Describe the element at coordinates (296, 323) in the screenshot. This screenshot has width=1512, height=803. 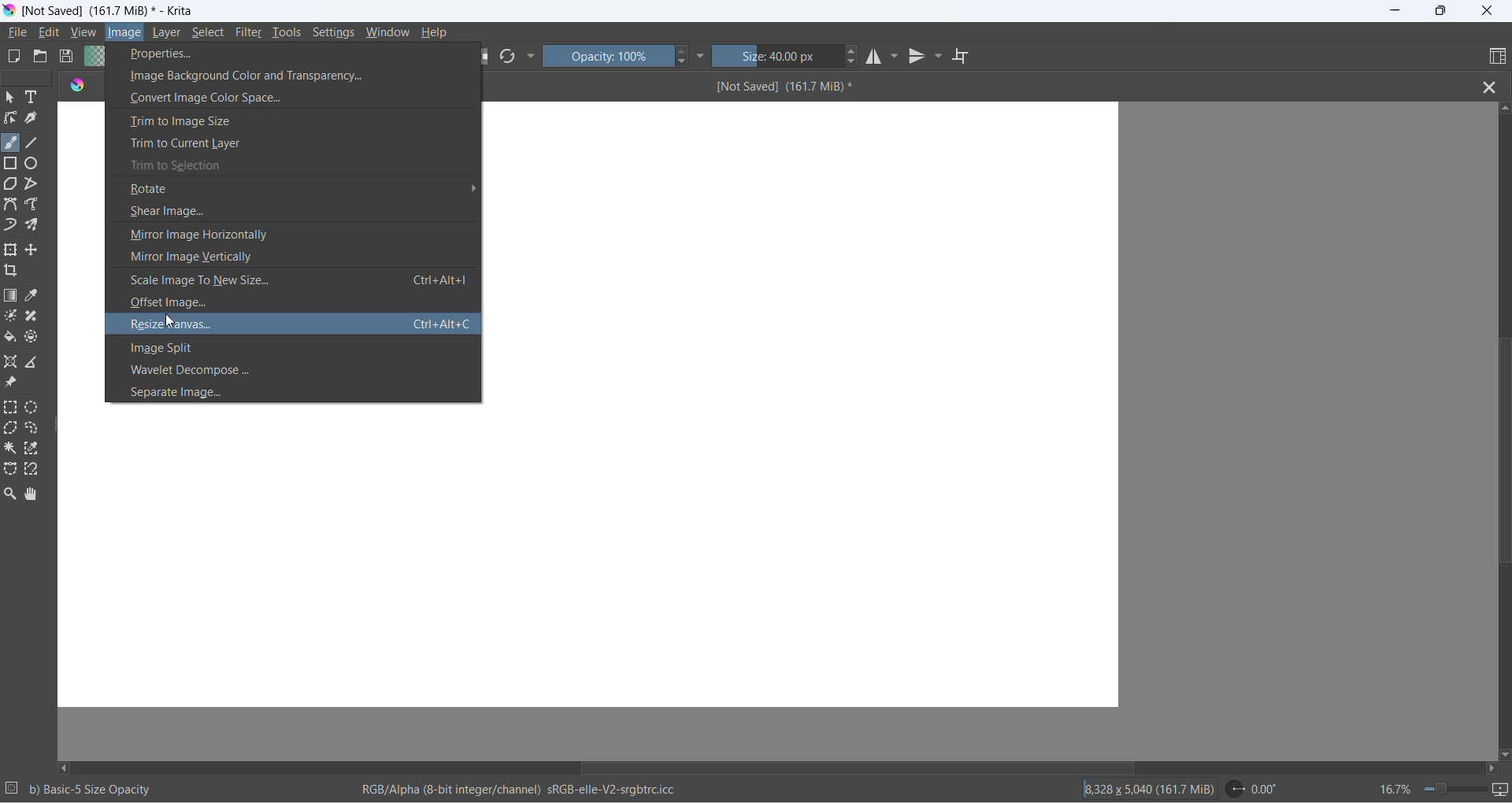
I see `cursor on resize canvas` at that location.